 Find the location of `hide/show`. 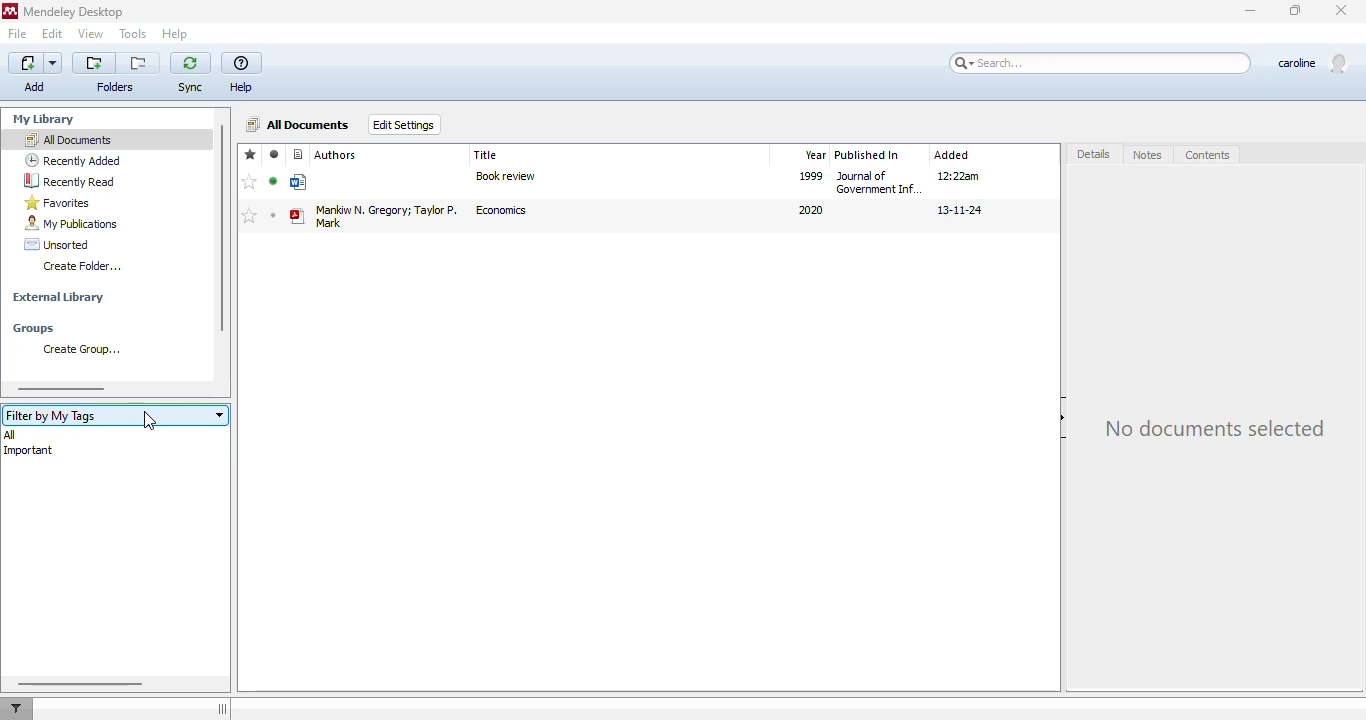

hide/show is located at coordinates (222, 709).